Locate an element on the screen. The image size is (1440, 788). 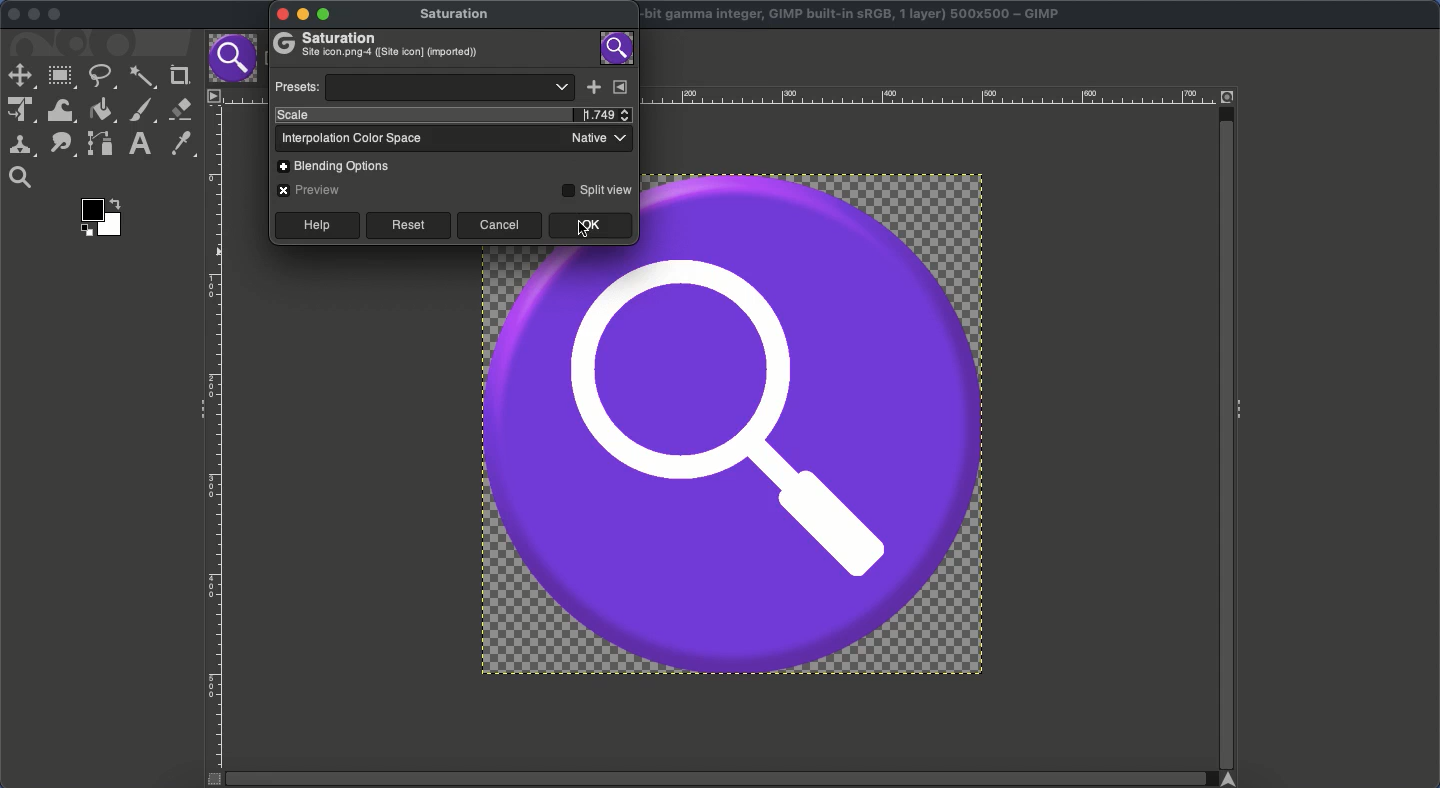
Presets is located at coordinates (422, 87).